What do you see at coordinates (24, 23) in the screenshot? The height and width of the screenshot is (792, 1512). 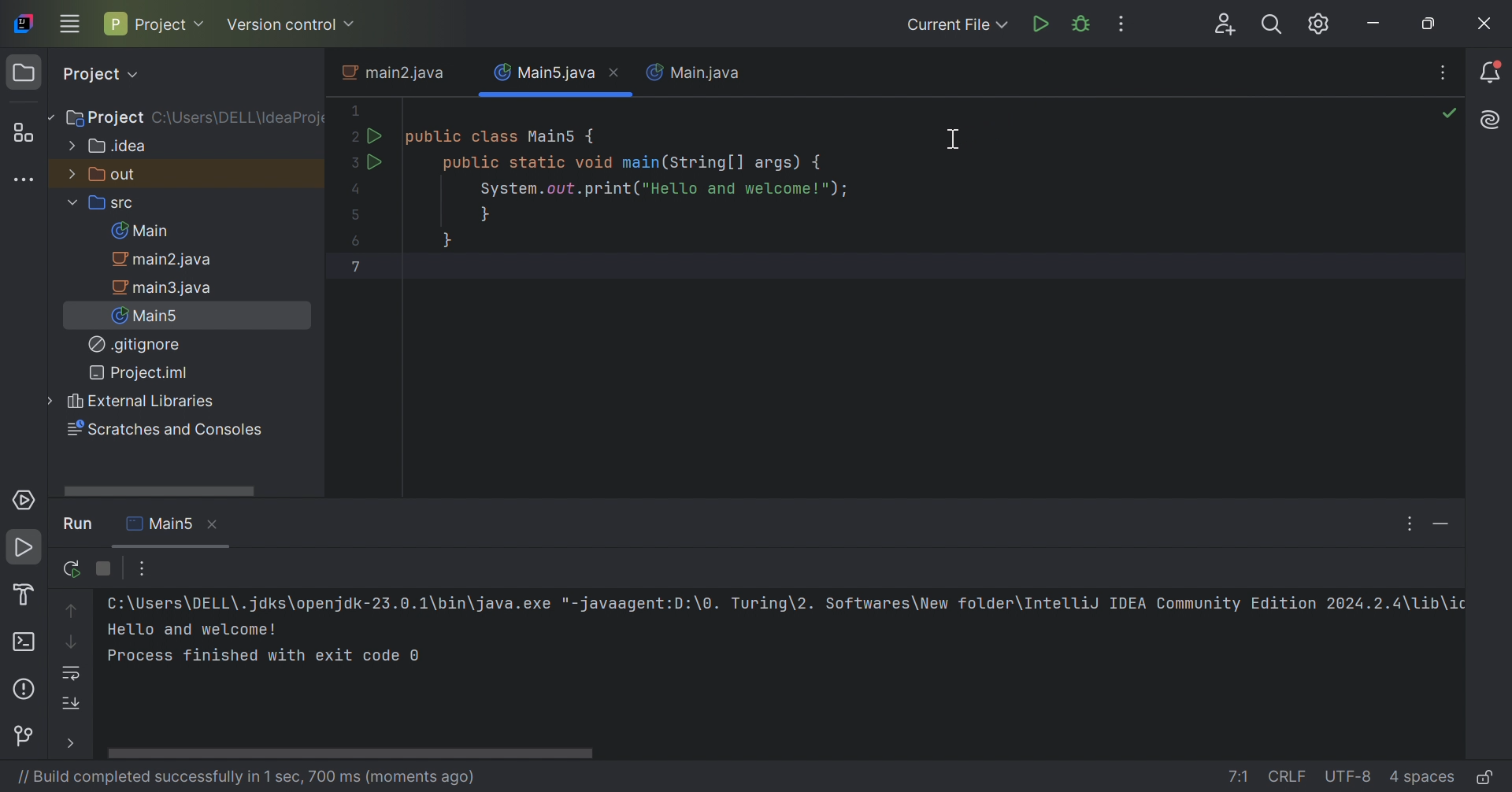 I see `IntelliJ IDEA icon` at bounding box center [24, 23].